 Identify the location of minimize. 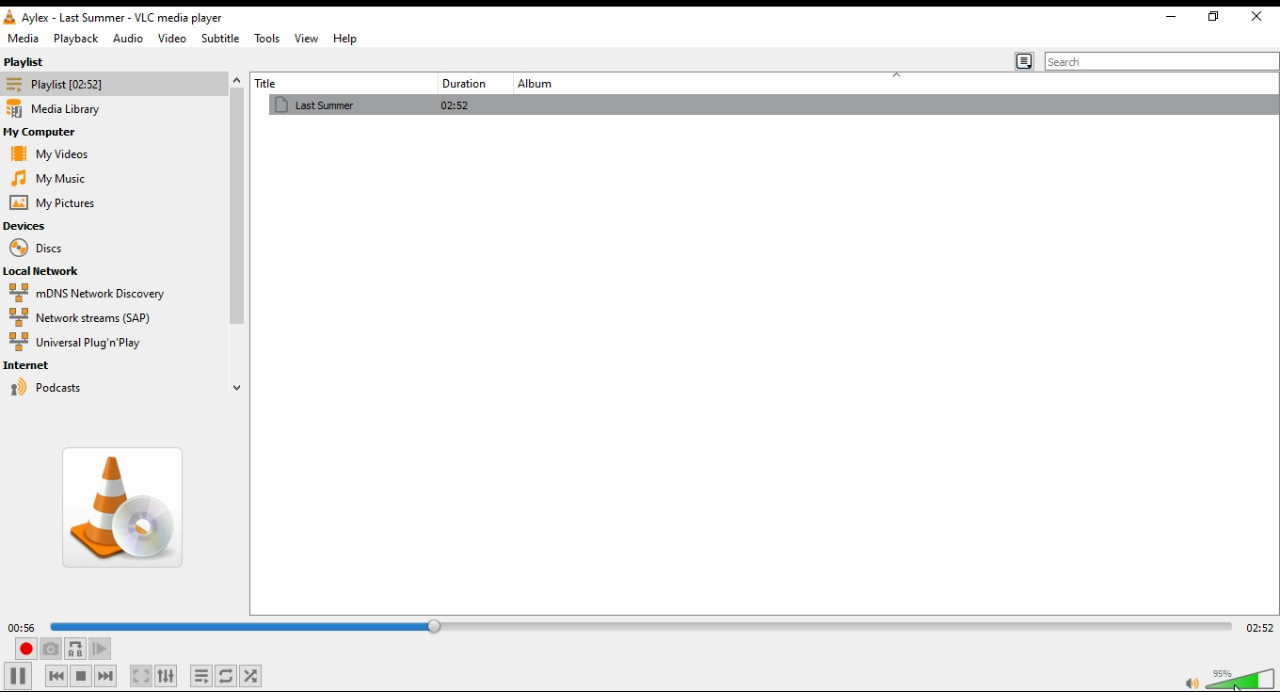
(1169, 19).